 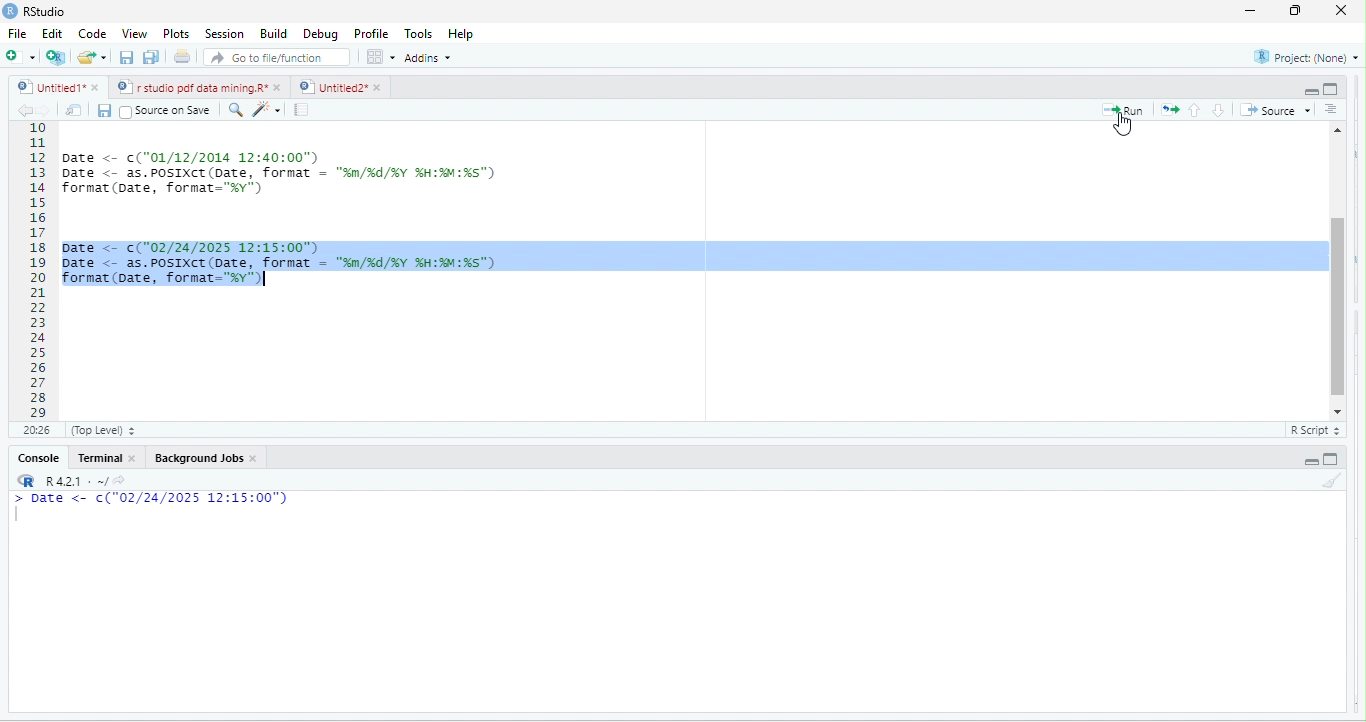 I want to click on show document outline, so click(x=1335, y=109).